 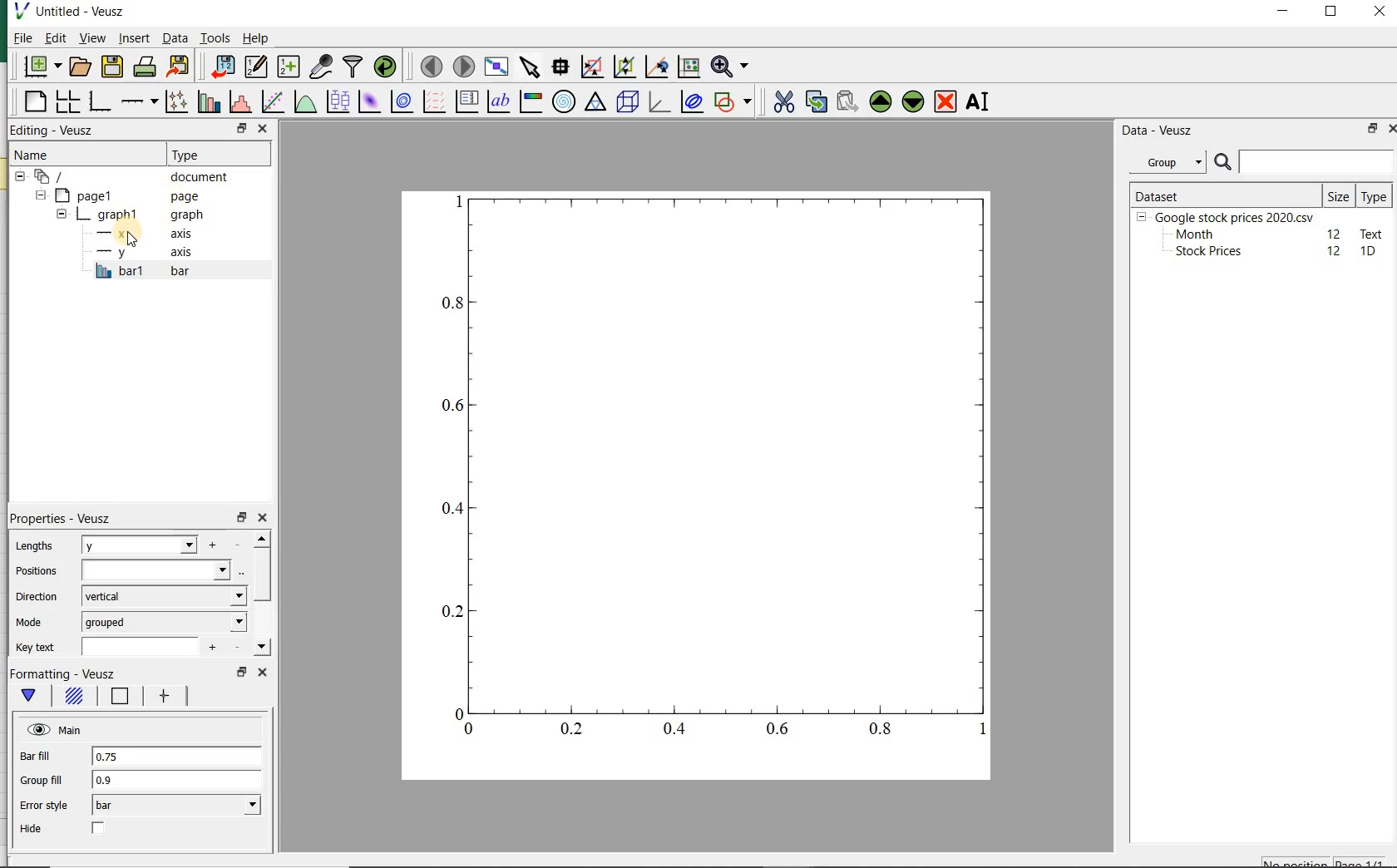 What do you see at coordinates (34, 104) in the screenshot?
I see `blank page` at bounding box center [34, 104].